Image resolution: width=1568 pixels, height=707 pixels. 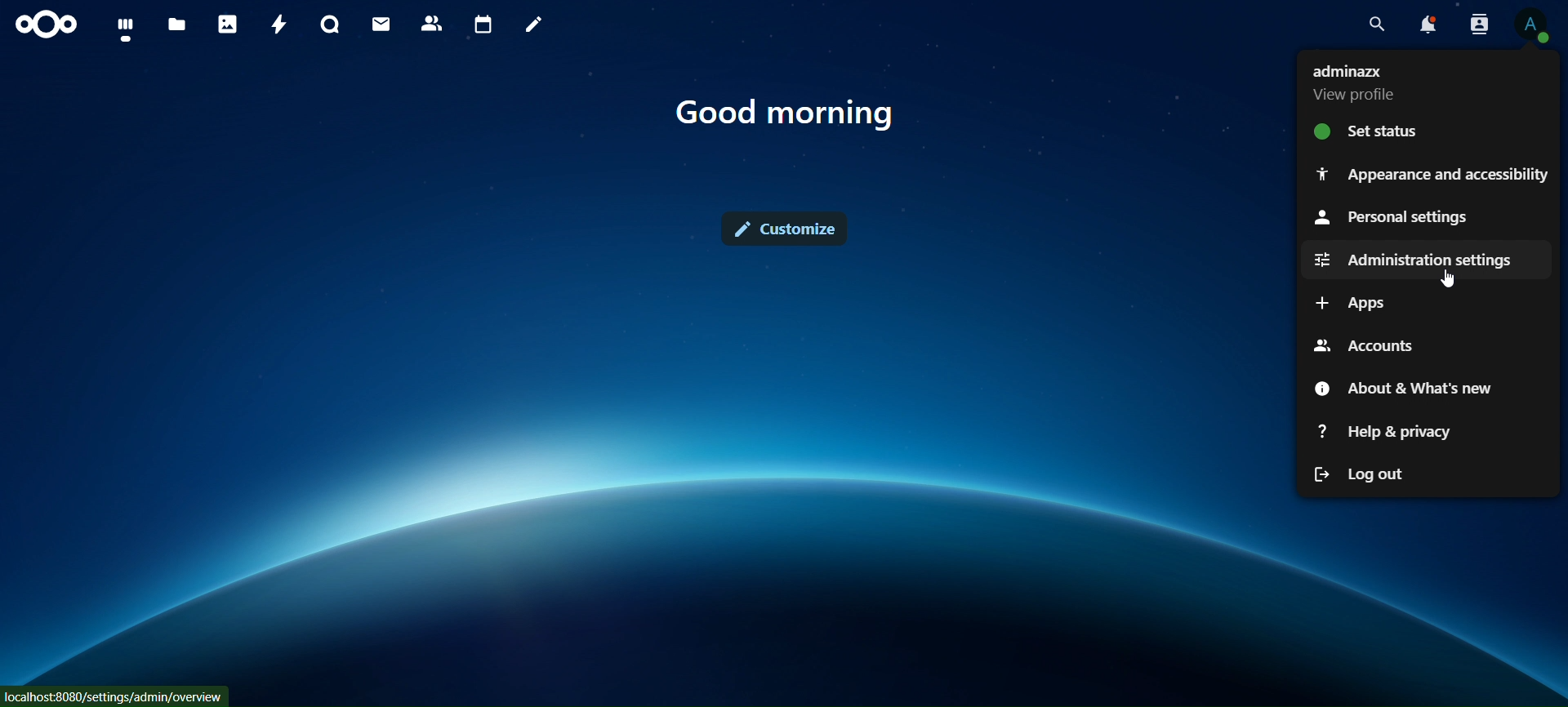 I want to click on set status, so click(x=1392, y=131).